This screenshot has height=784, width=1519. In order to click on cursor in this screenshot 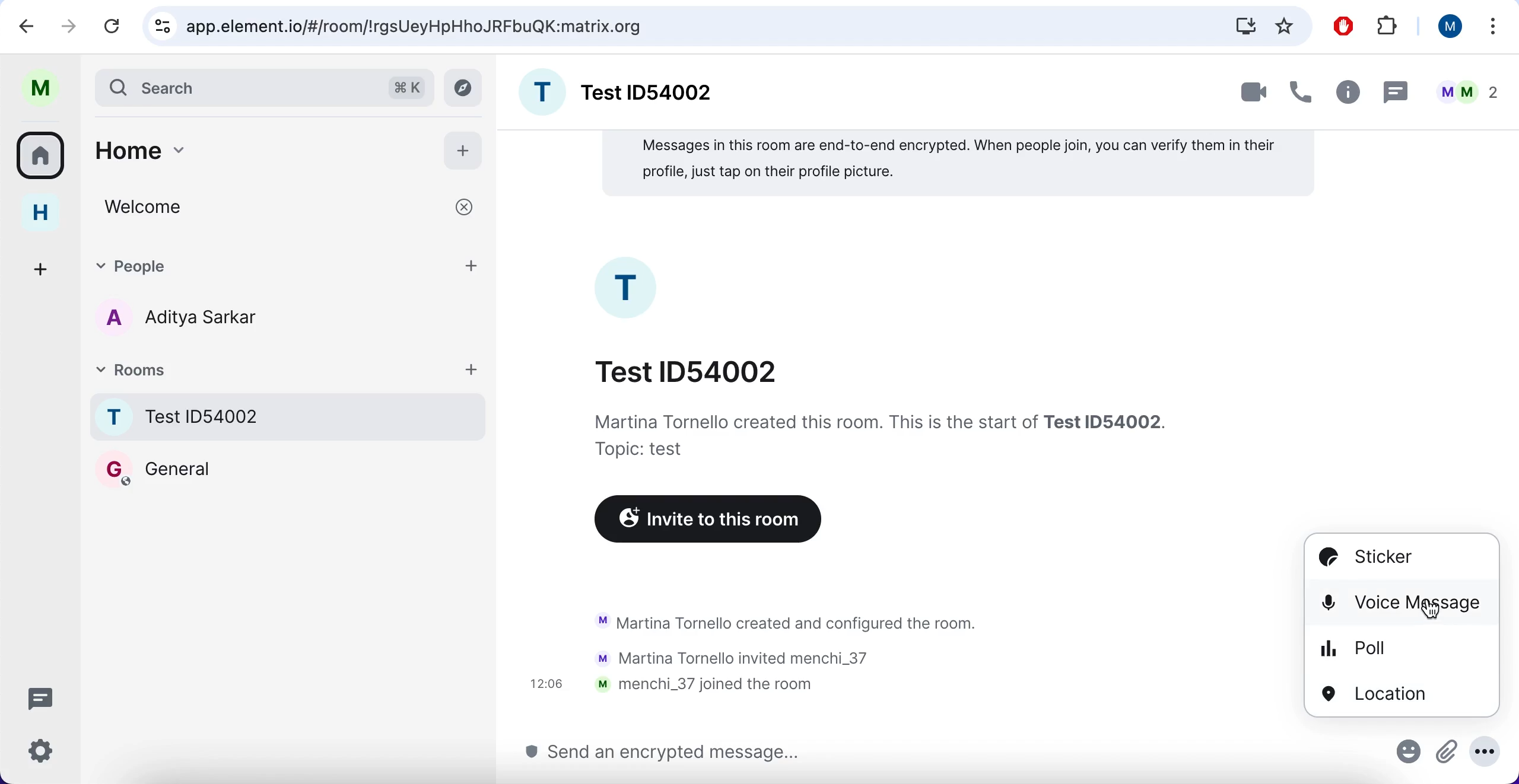, I will do `click(1405, 602)`.